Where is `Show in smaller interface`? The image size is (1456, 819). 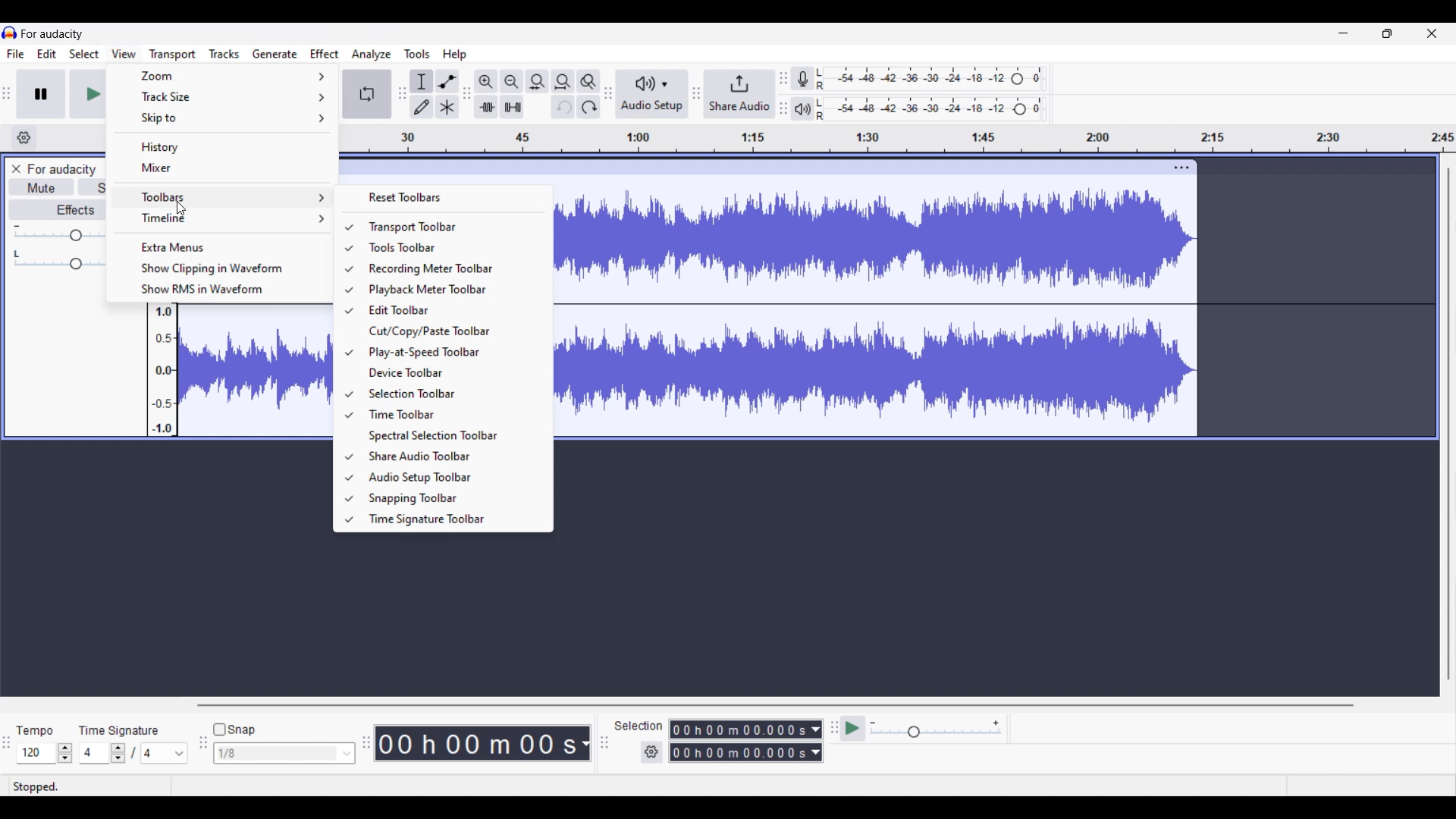
Show in smaller interface is located at coordinates (1387, 33).